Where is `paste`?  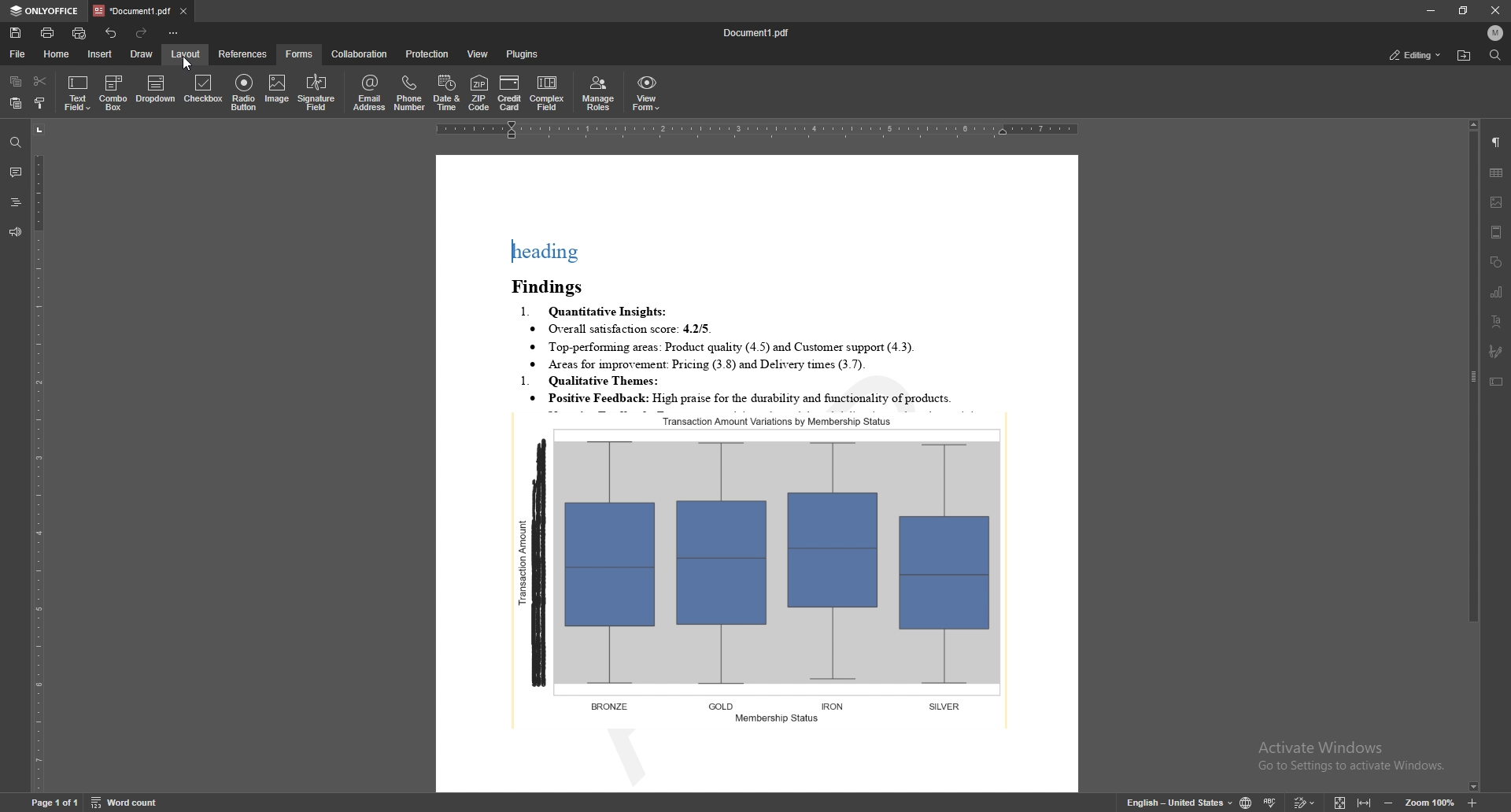 paste is located at coordinates (13, 103).